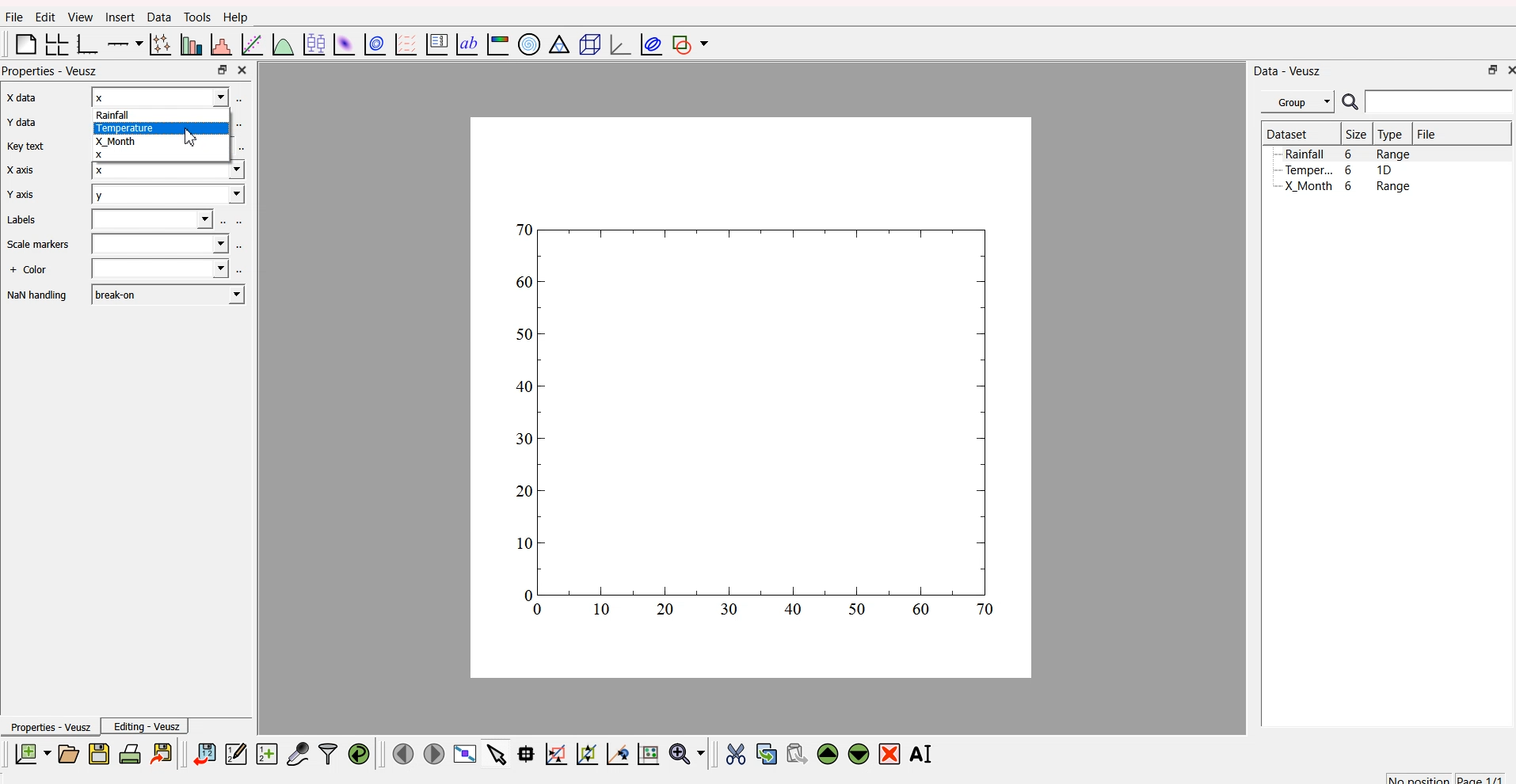  I want to click on move to the next page, so click(436, 754).